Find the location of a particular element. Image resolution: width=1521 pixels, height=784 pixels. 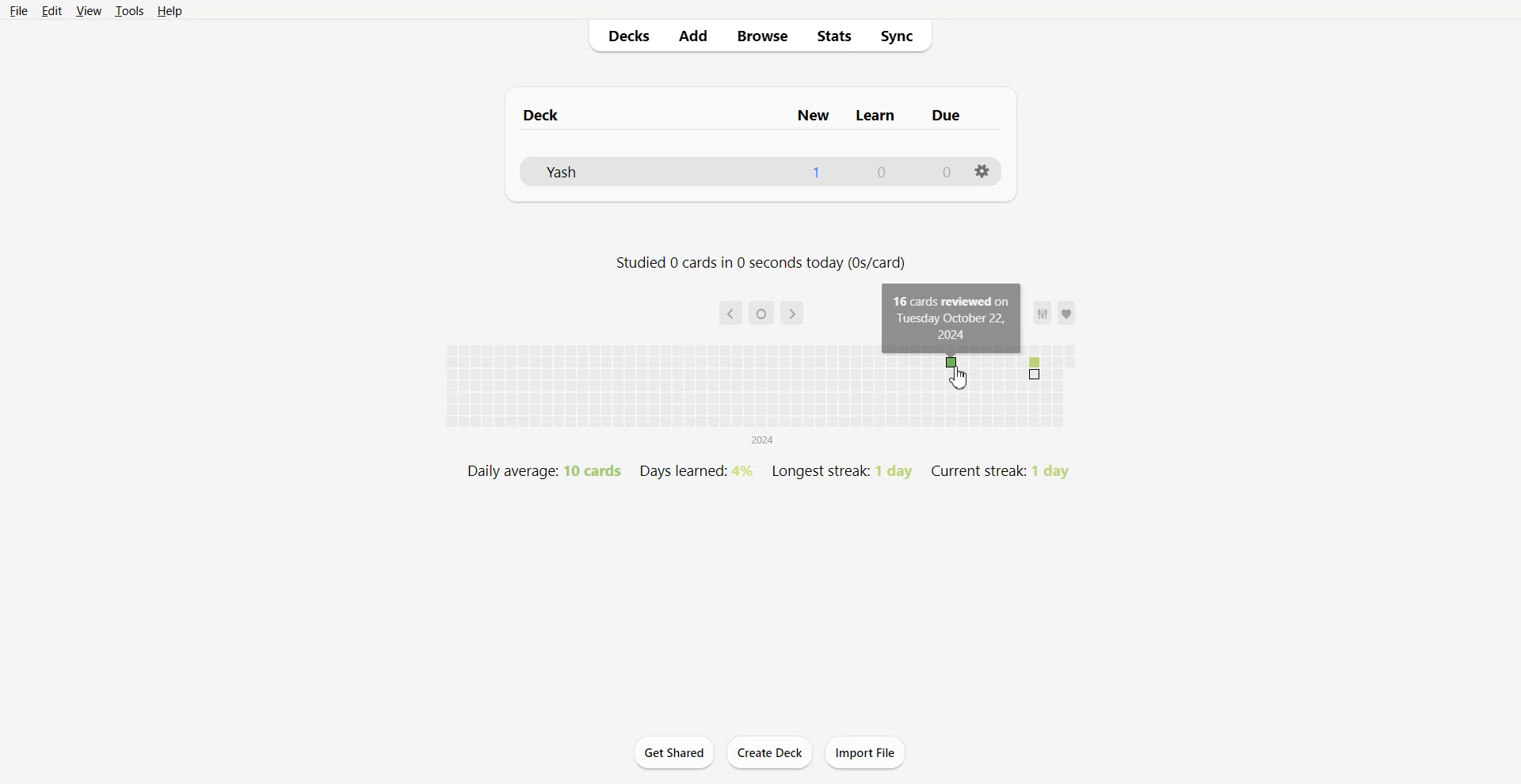

Stats is located at coordinates (838, 36).